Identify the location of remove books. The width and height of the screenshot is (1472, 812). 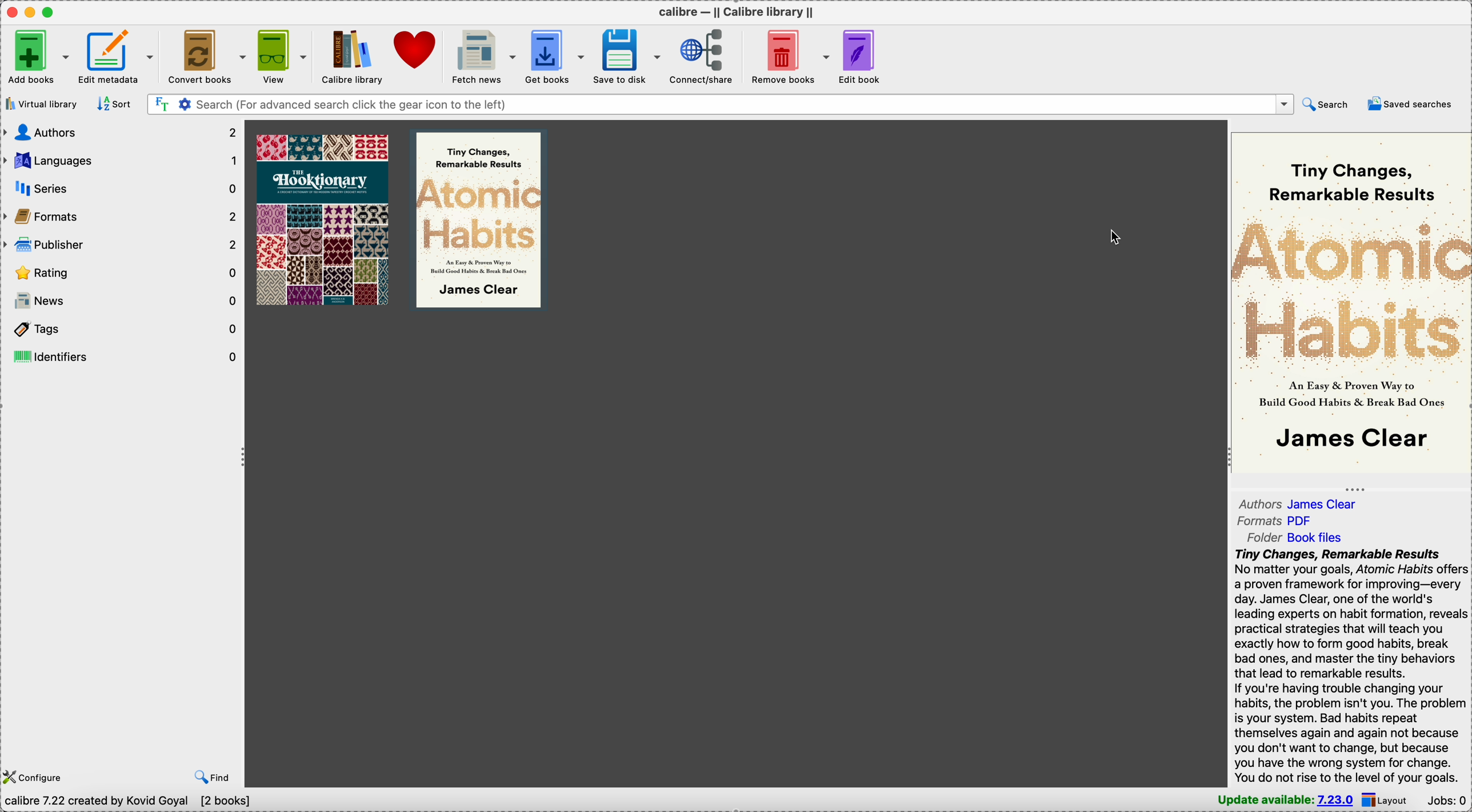
(789, 54).